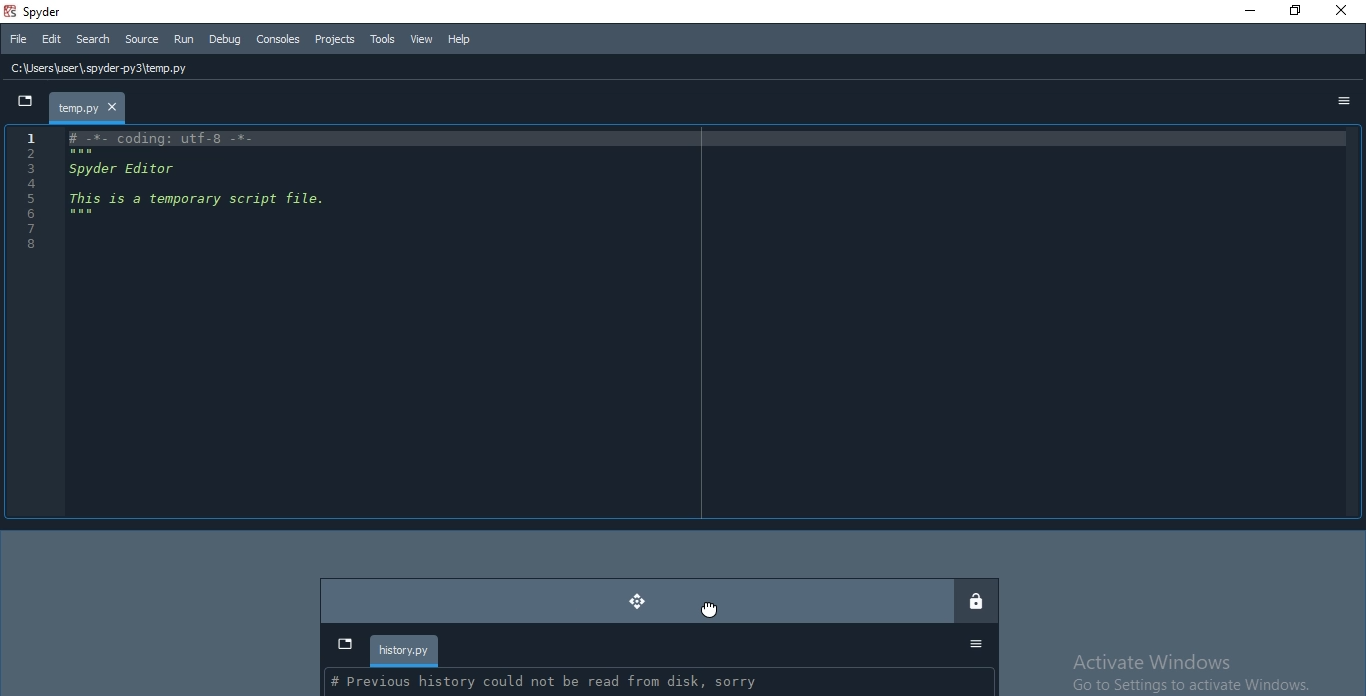 The height and width of the screenshot is (696, 1366). Describe the element at coordinates (691, 318) in the screenshot. I see `IDE` at that location.